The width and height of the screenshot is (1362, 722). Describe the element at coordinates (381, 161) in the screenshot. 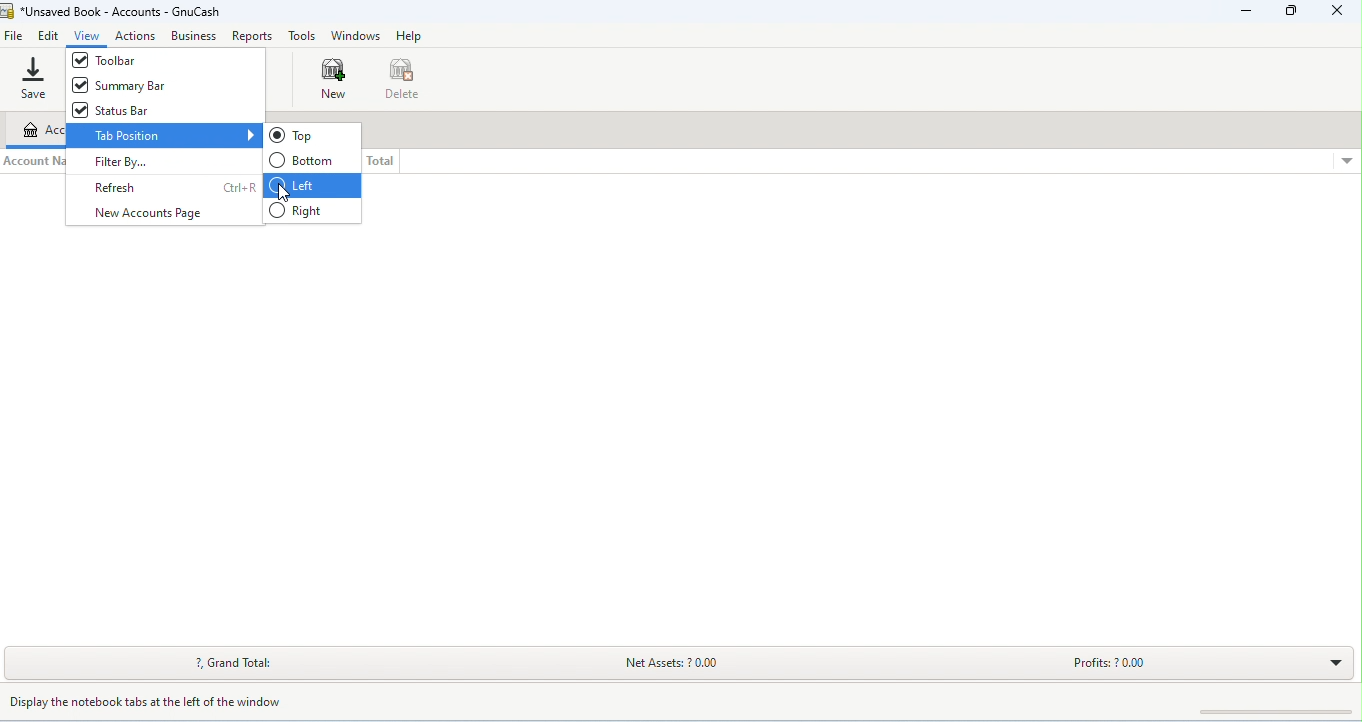

I see `Total` at that location.